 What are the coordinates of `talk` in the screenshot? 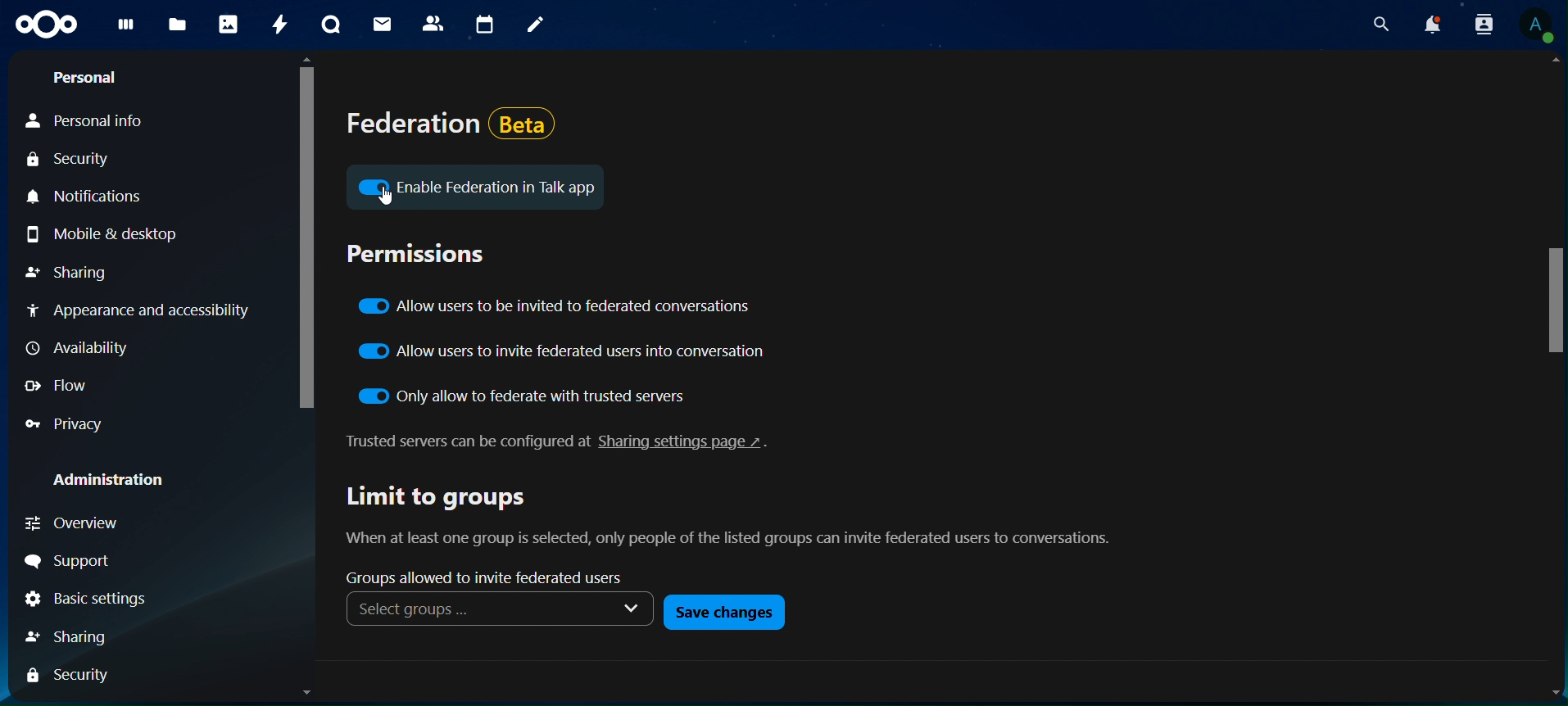 It's located at (331, 25).